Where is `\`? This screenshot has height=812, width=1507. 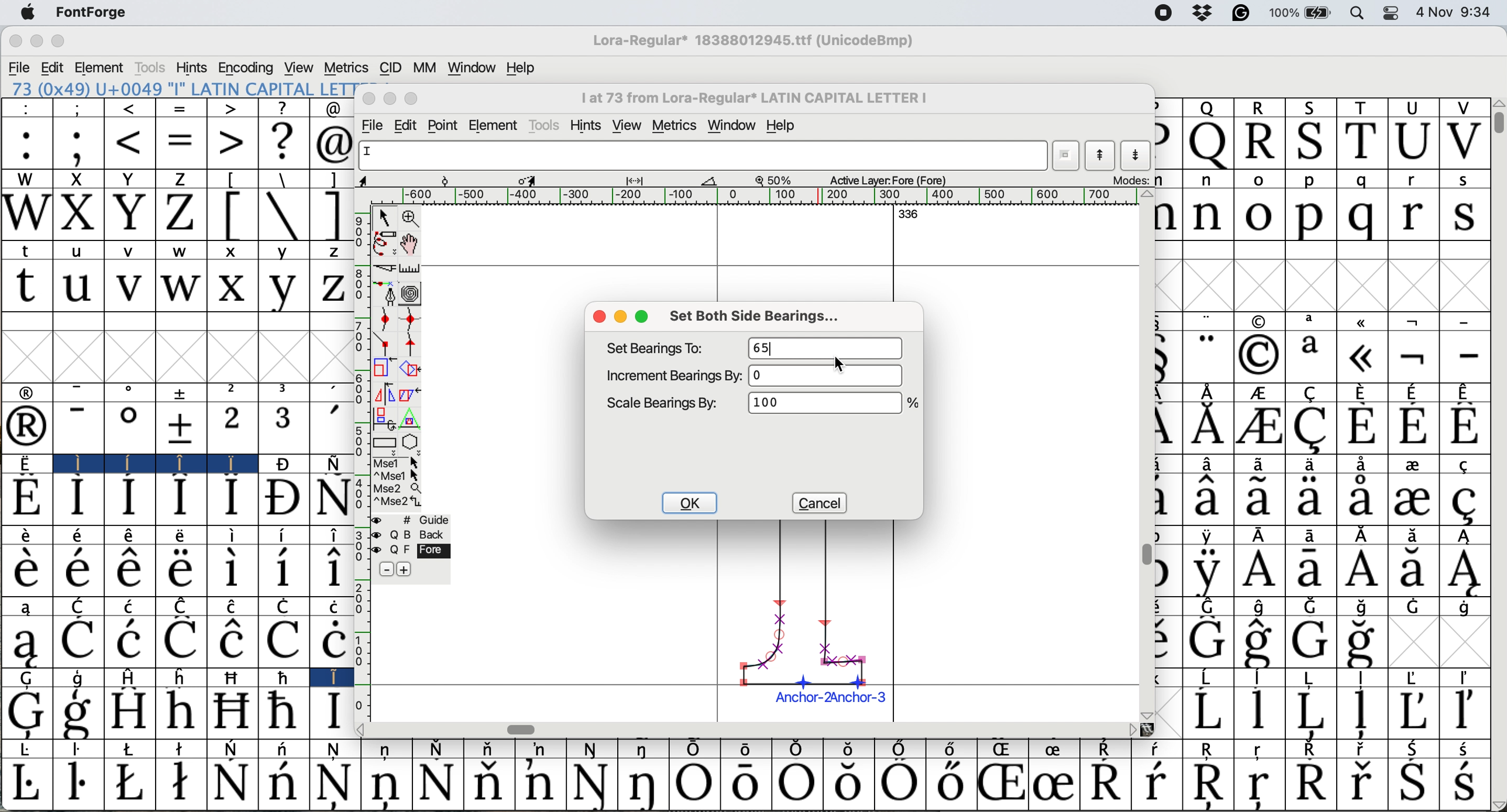
\ is located at coordinates (282, 179).